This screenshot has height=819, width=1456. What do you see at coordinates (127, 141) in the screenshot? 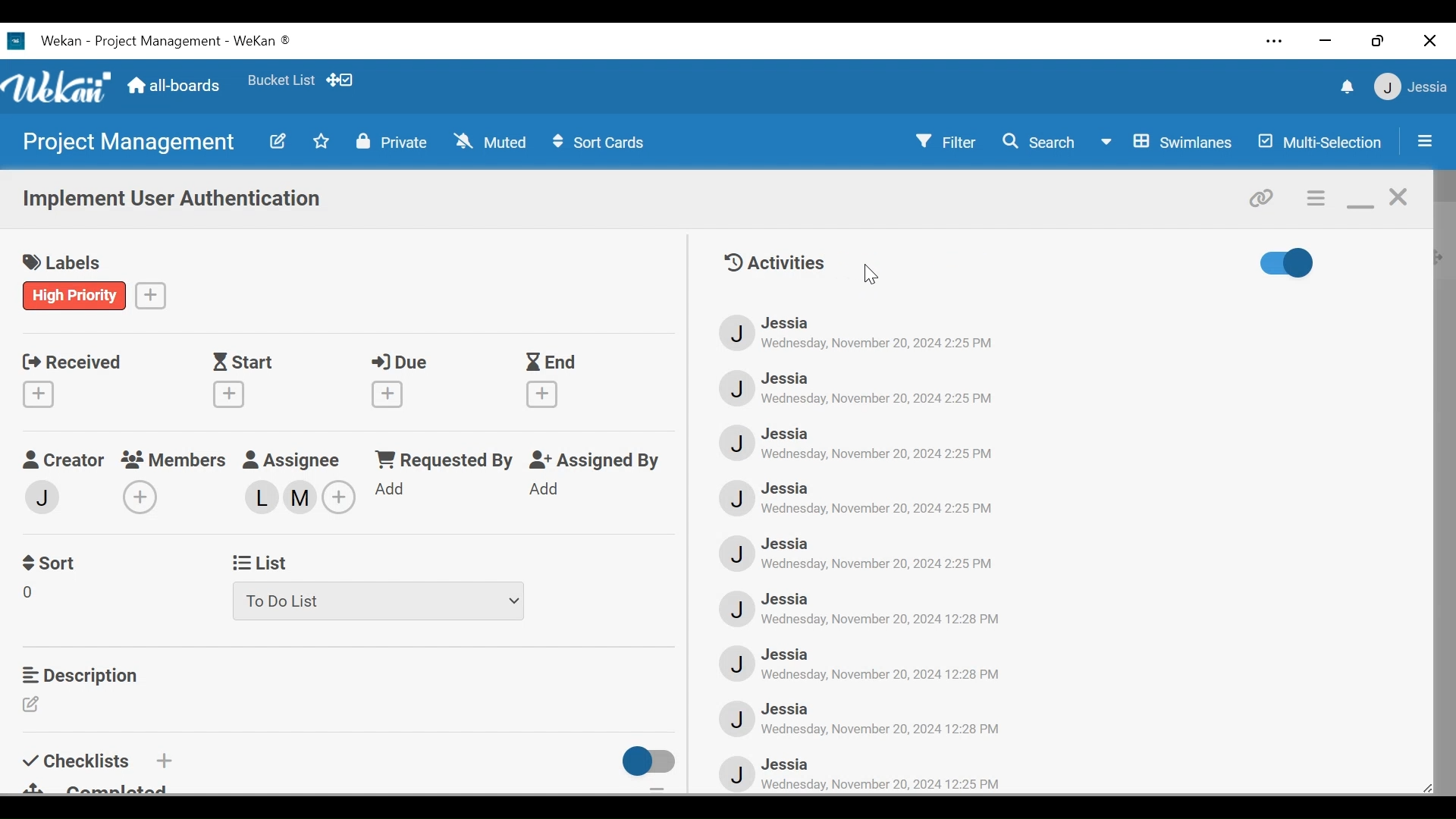
I see `Board name` at bounding box center [127, 141].